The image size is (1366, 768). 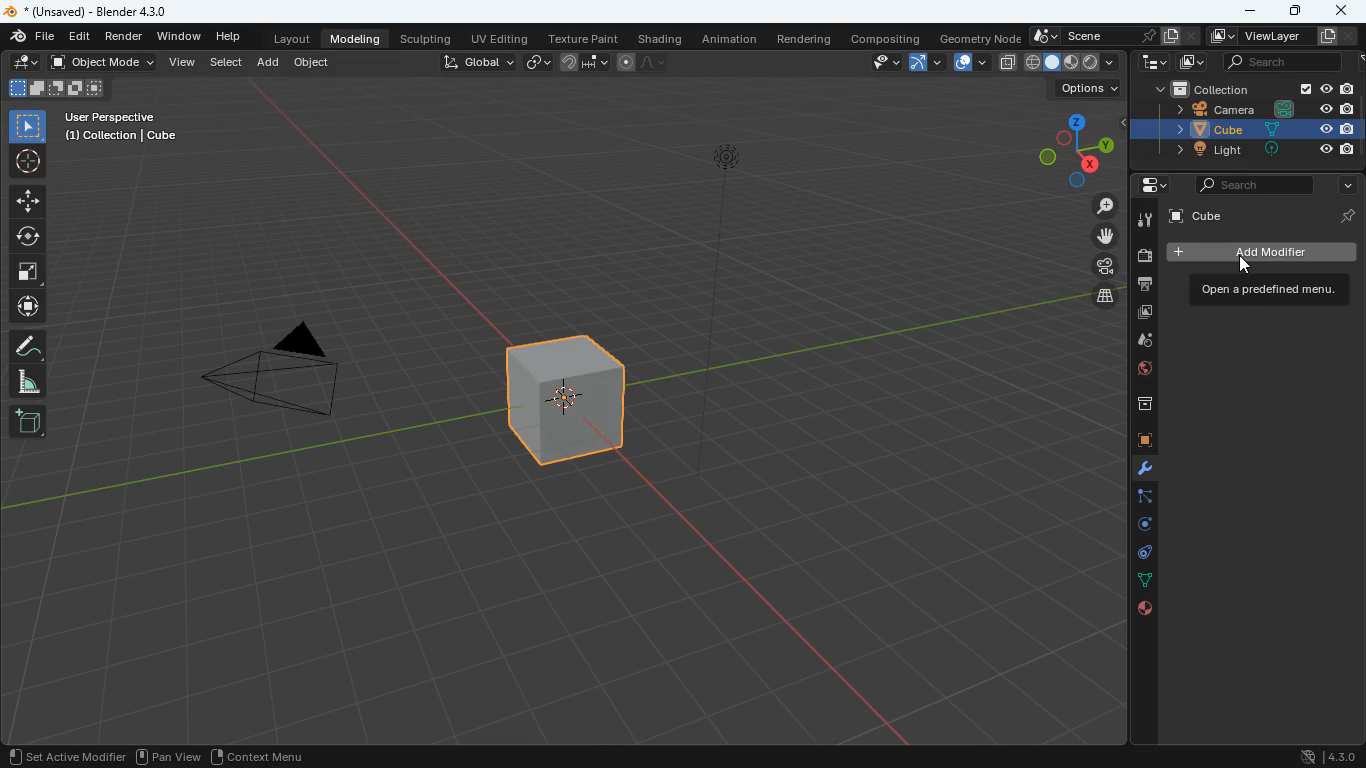 What do you see at coordinates (233, 36) in the screenshot?
I see `help` at bounding box center [233, 36].